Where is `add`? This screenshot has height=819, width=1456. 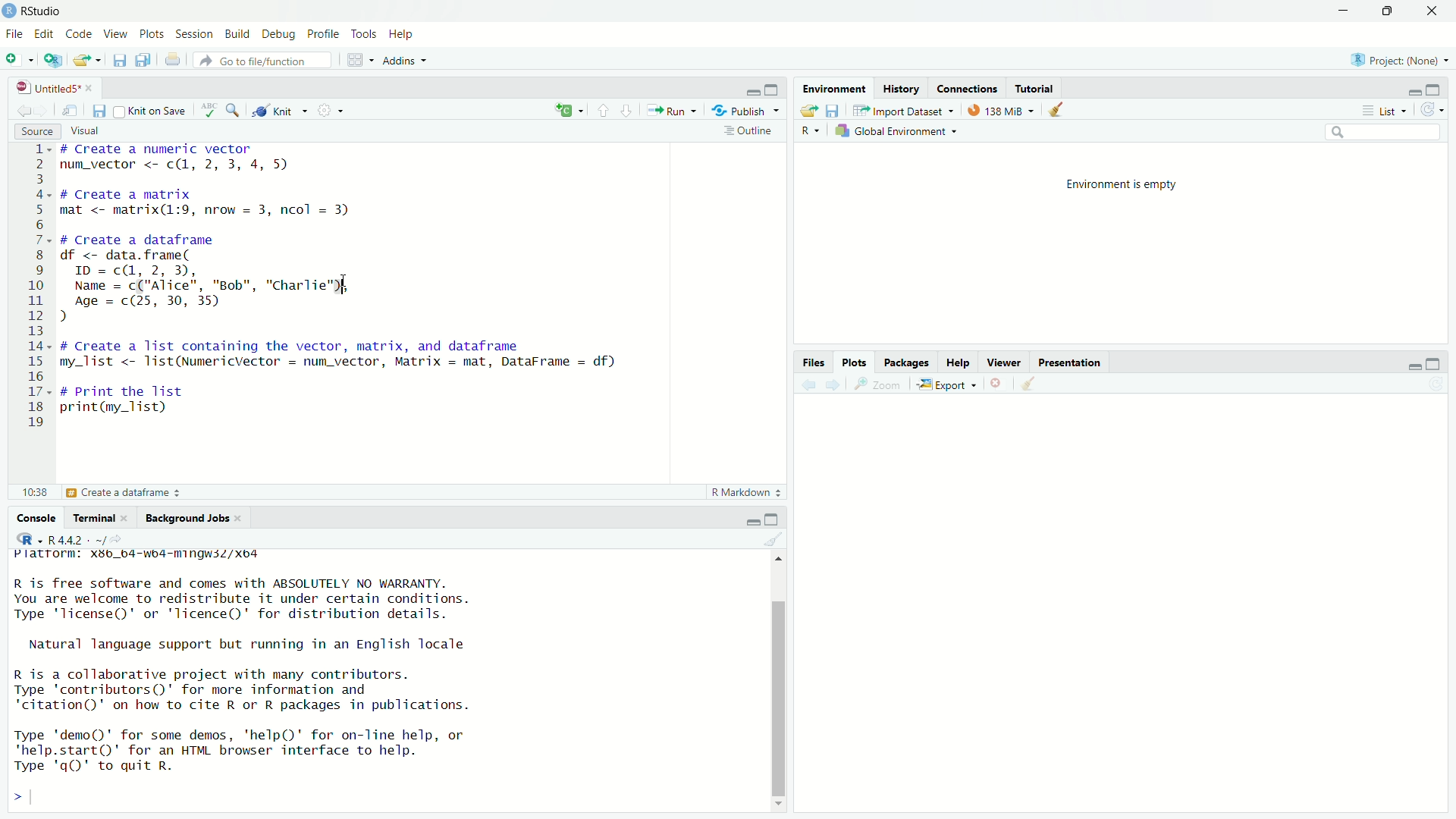
add is located at coordinates (20, 62).